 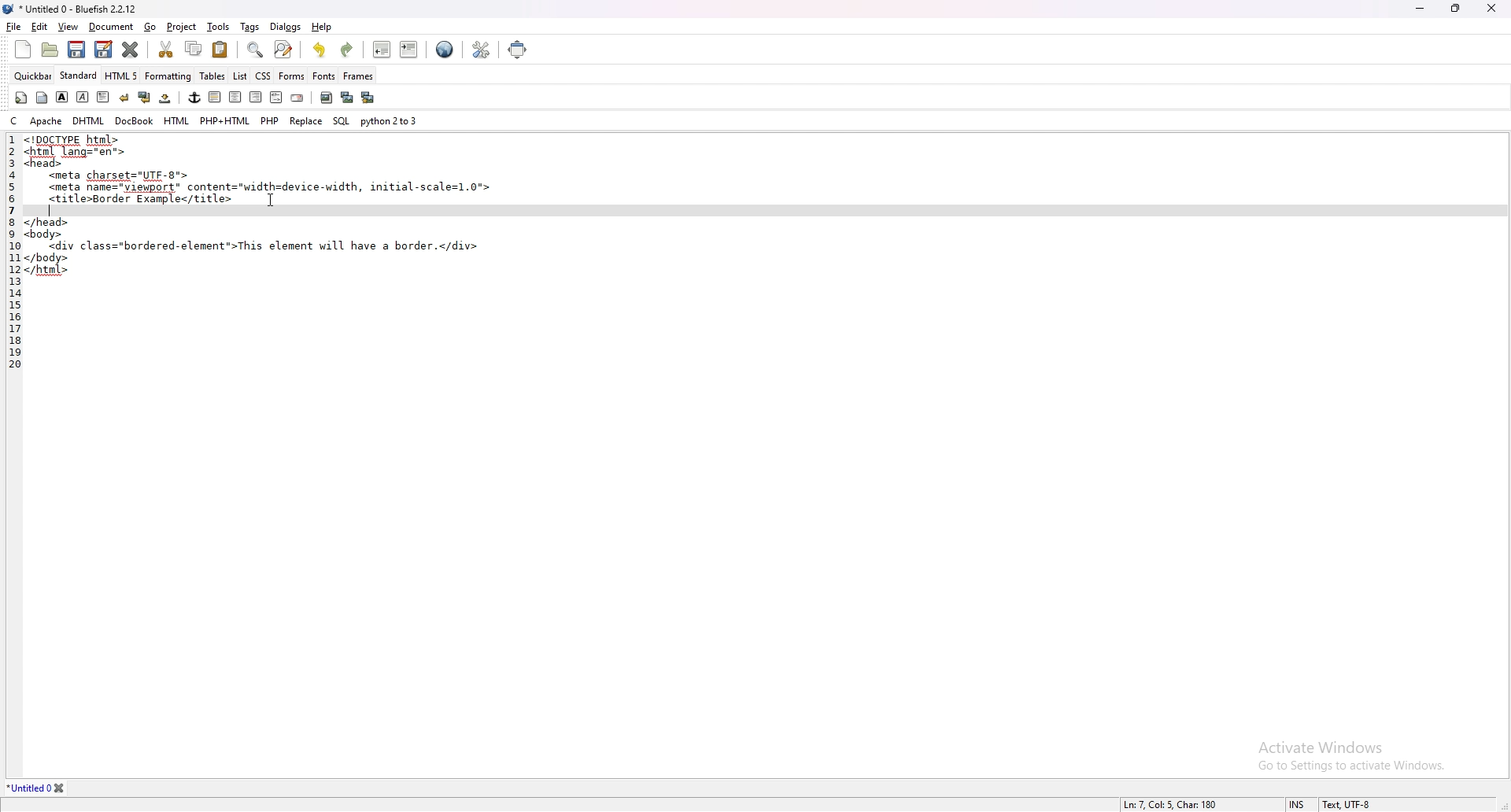 I want to click on anchor, so click(x=194, y=98).